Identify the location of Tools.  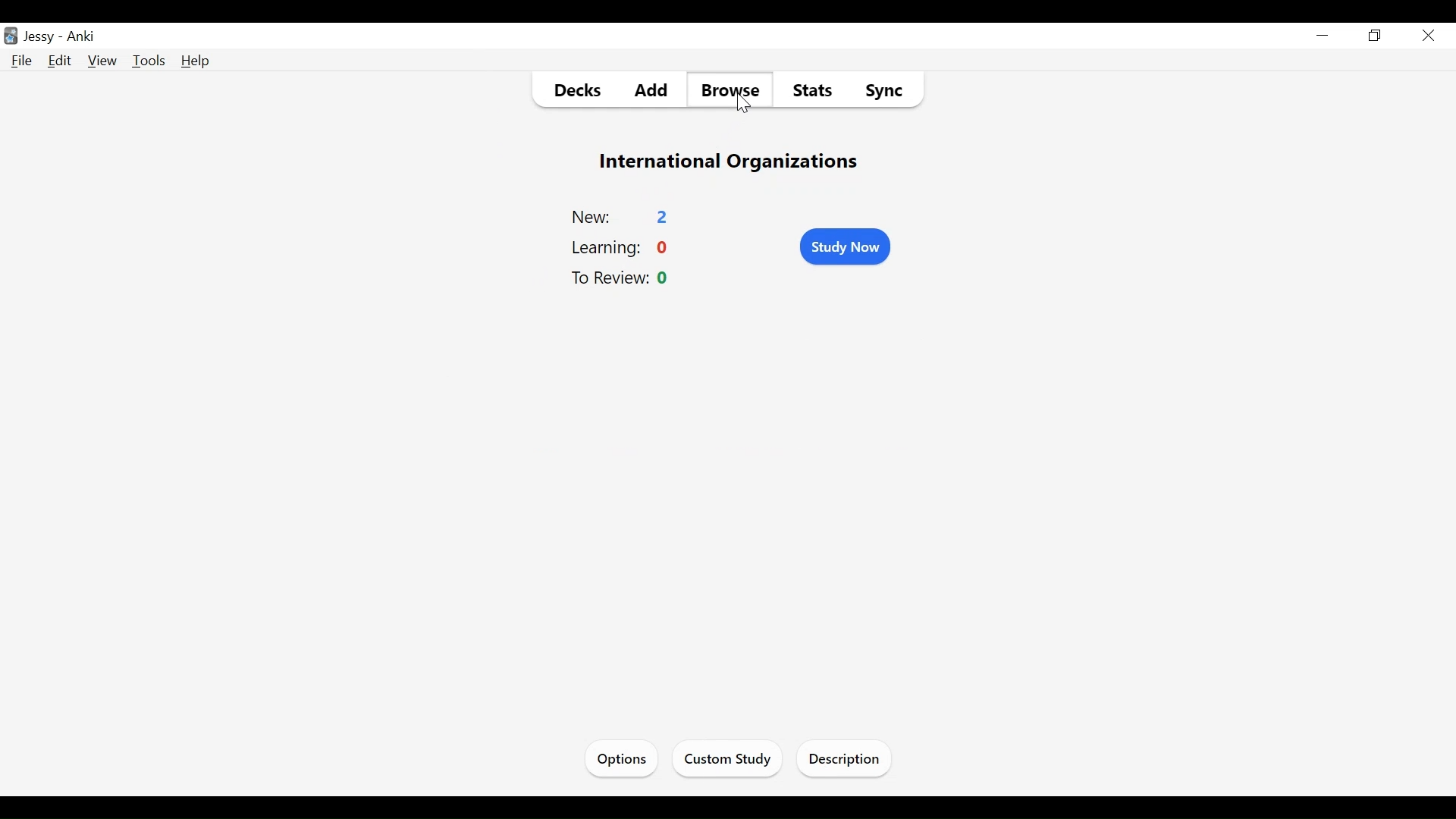
(151, 61).